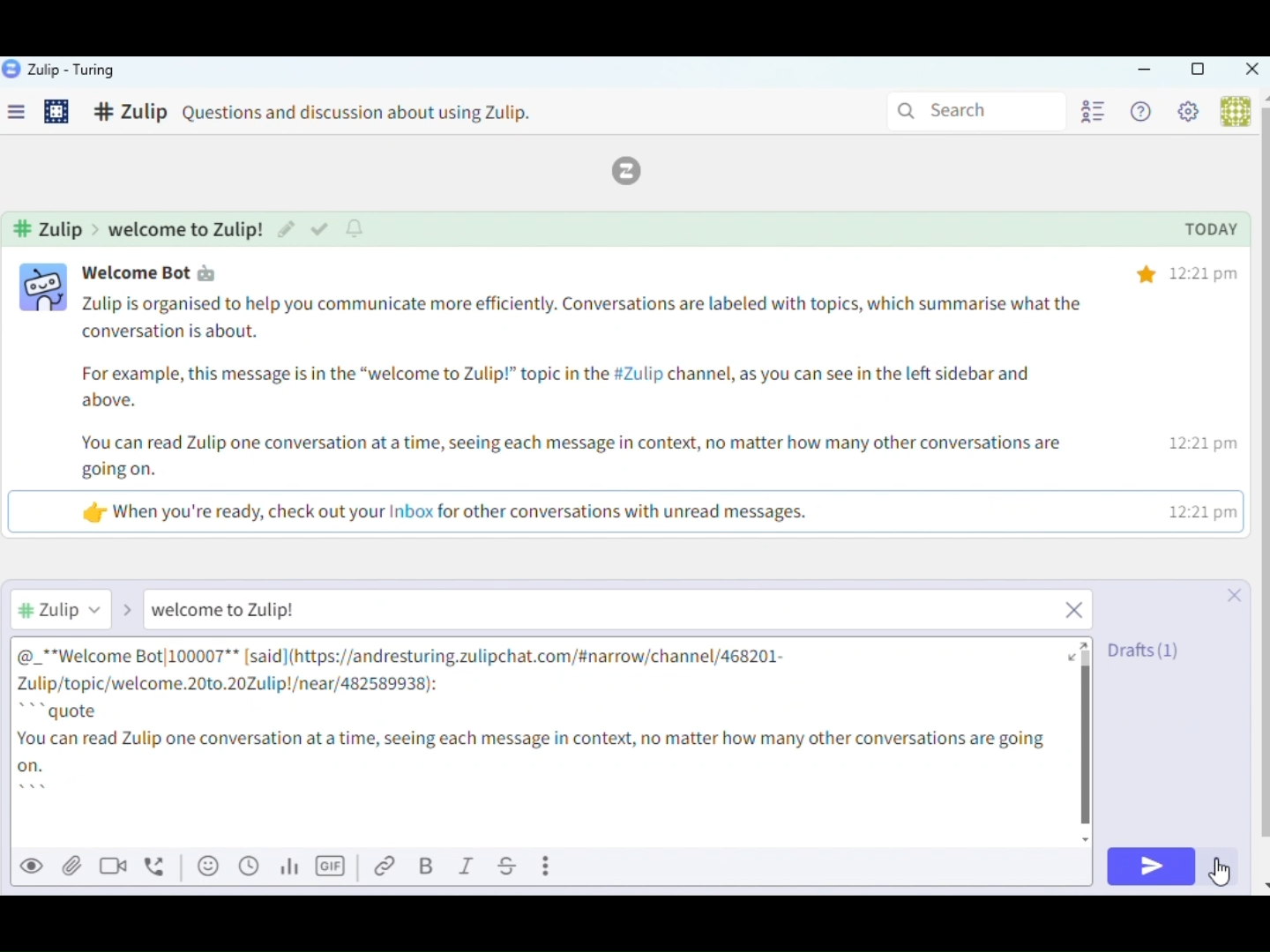  Describe the element at coordinates (1091, 110) in the screenshot. I see `User List` at that location.